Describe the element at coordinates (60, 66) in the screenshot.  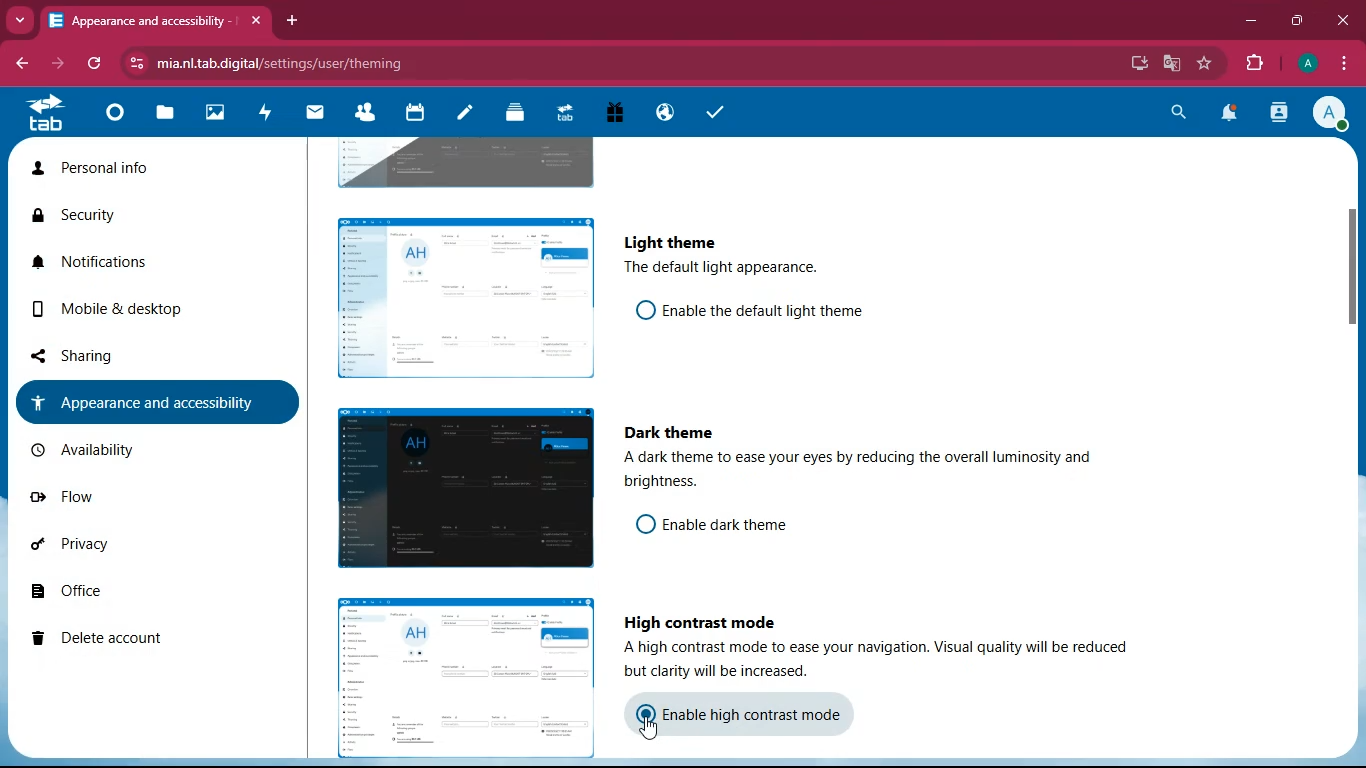
I see `forward` at that location.